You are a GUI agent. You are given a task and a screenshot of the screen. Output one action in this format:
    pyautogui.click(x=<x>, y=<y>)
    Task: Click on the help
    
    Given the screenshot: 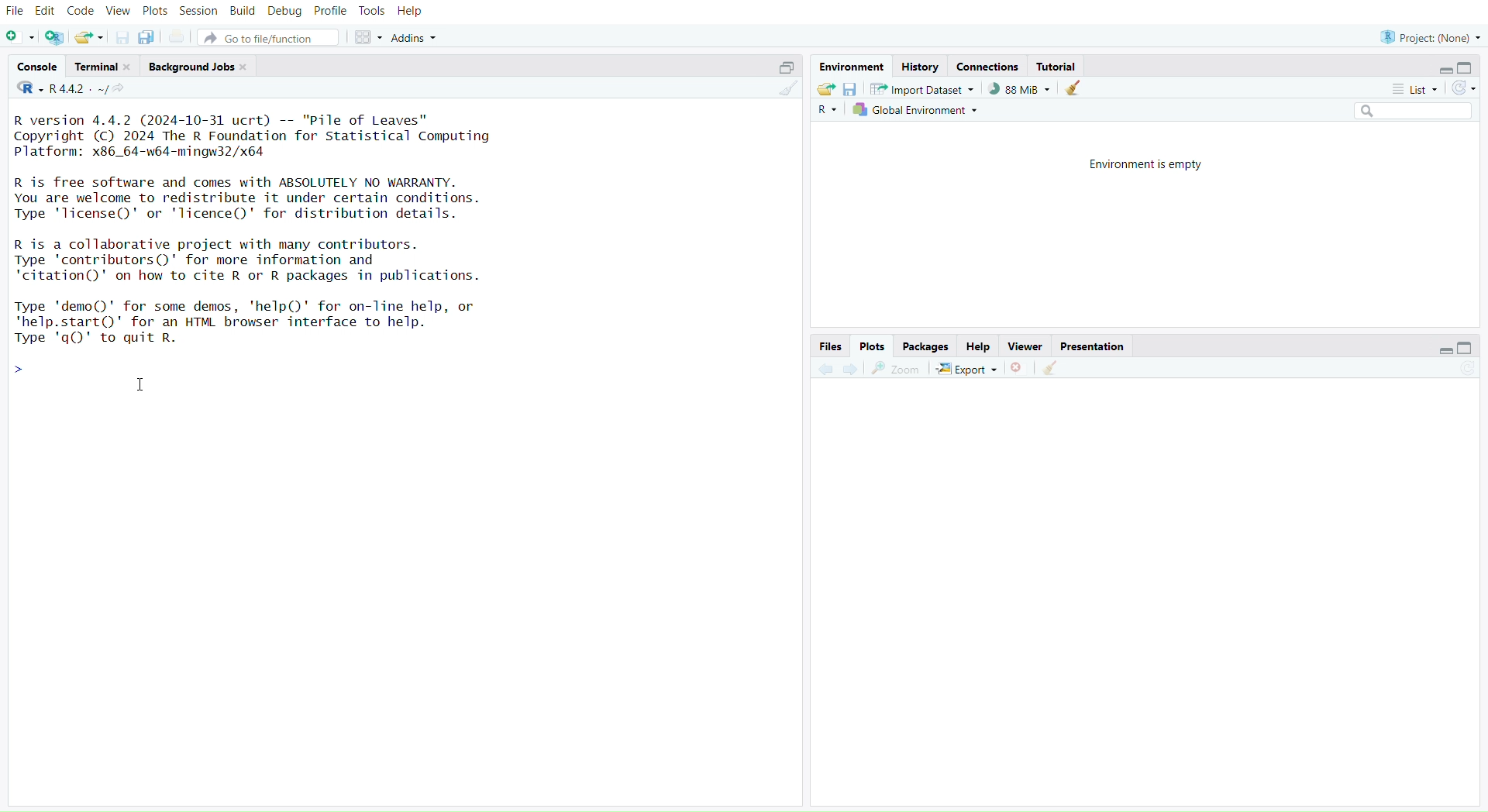 What is the action you would take?
    pyautogui.click(x=412, y=12)
    